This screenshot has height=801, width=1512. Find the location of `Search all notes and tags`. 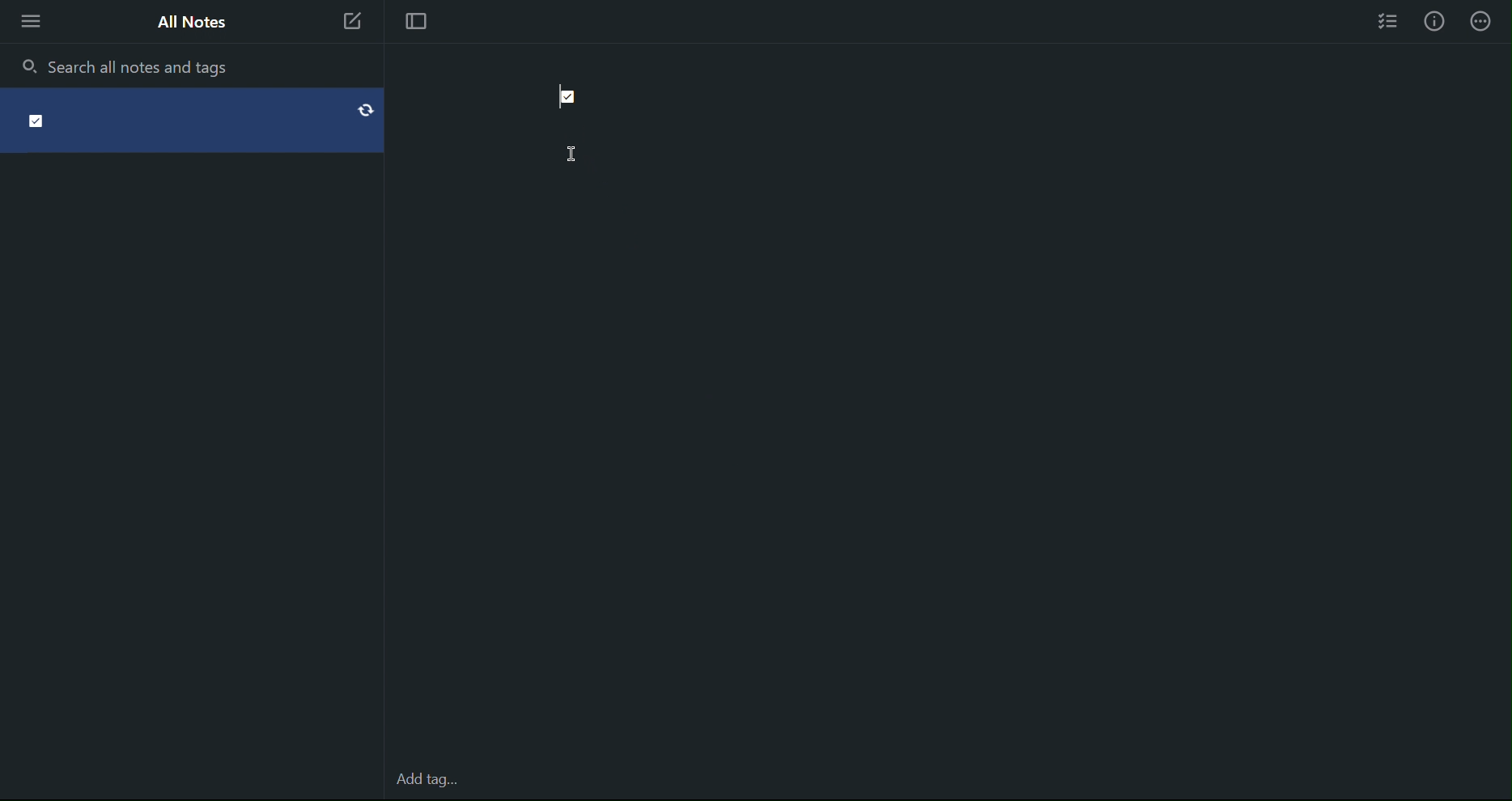

Search all notes and tags is located at coordinates (141, 65).